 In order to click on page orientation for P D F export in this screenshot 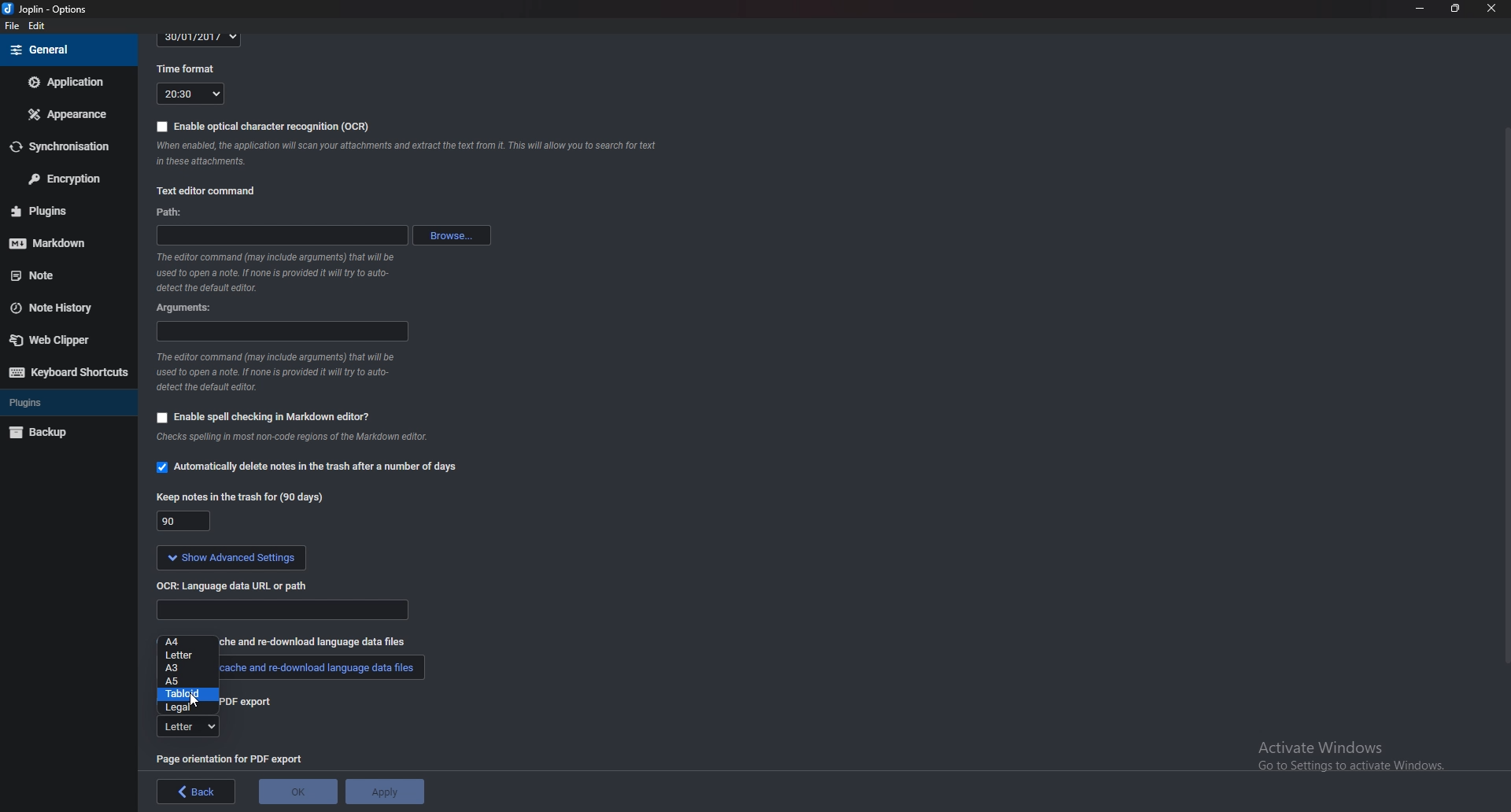, I will do `click(232, 758)`.